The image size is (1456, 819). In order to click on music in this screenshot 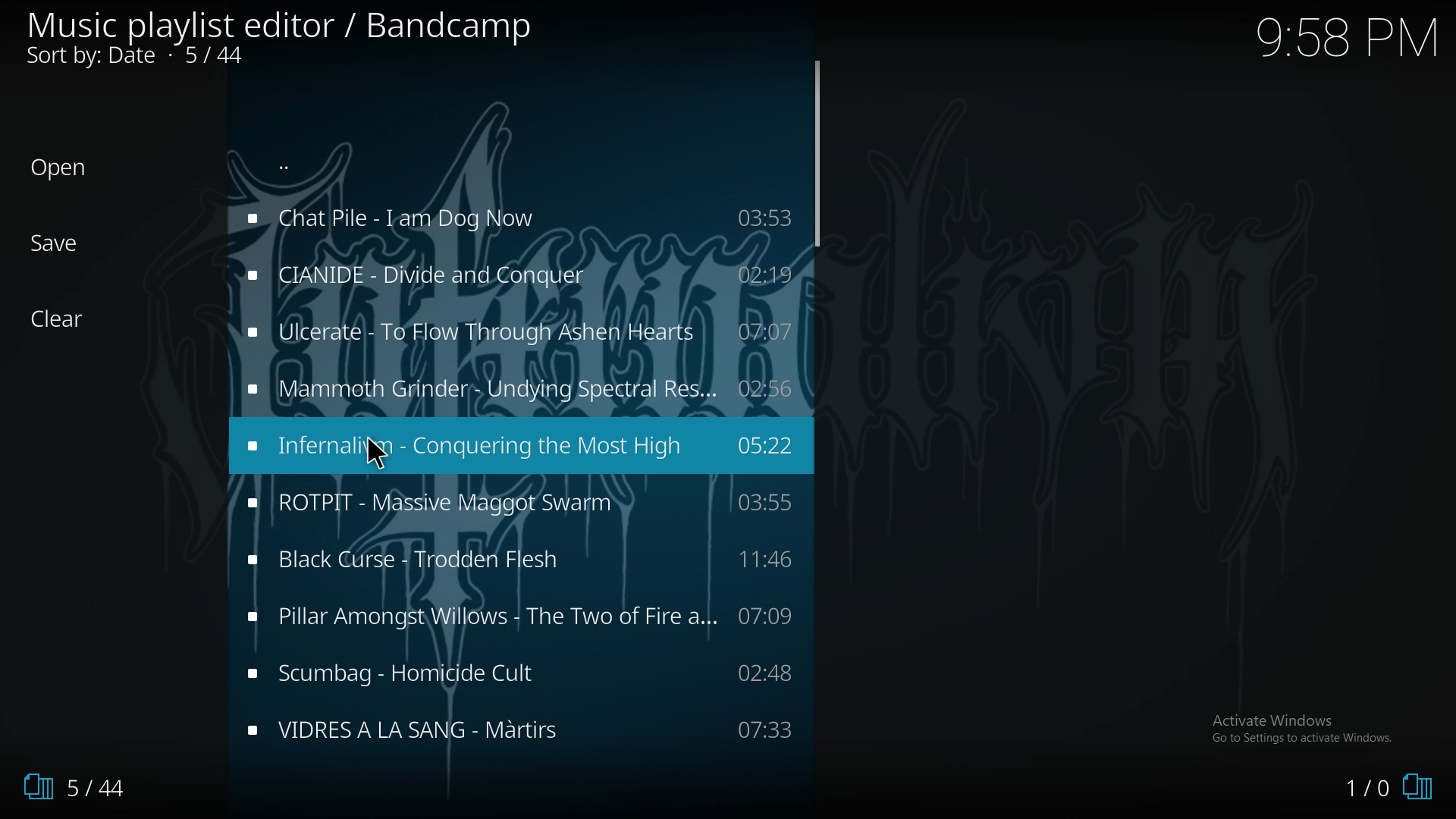, I will do `click(517, 503)`.